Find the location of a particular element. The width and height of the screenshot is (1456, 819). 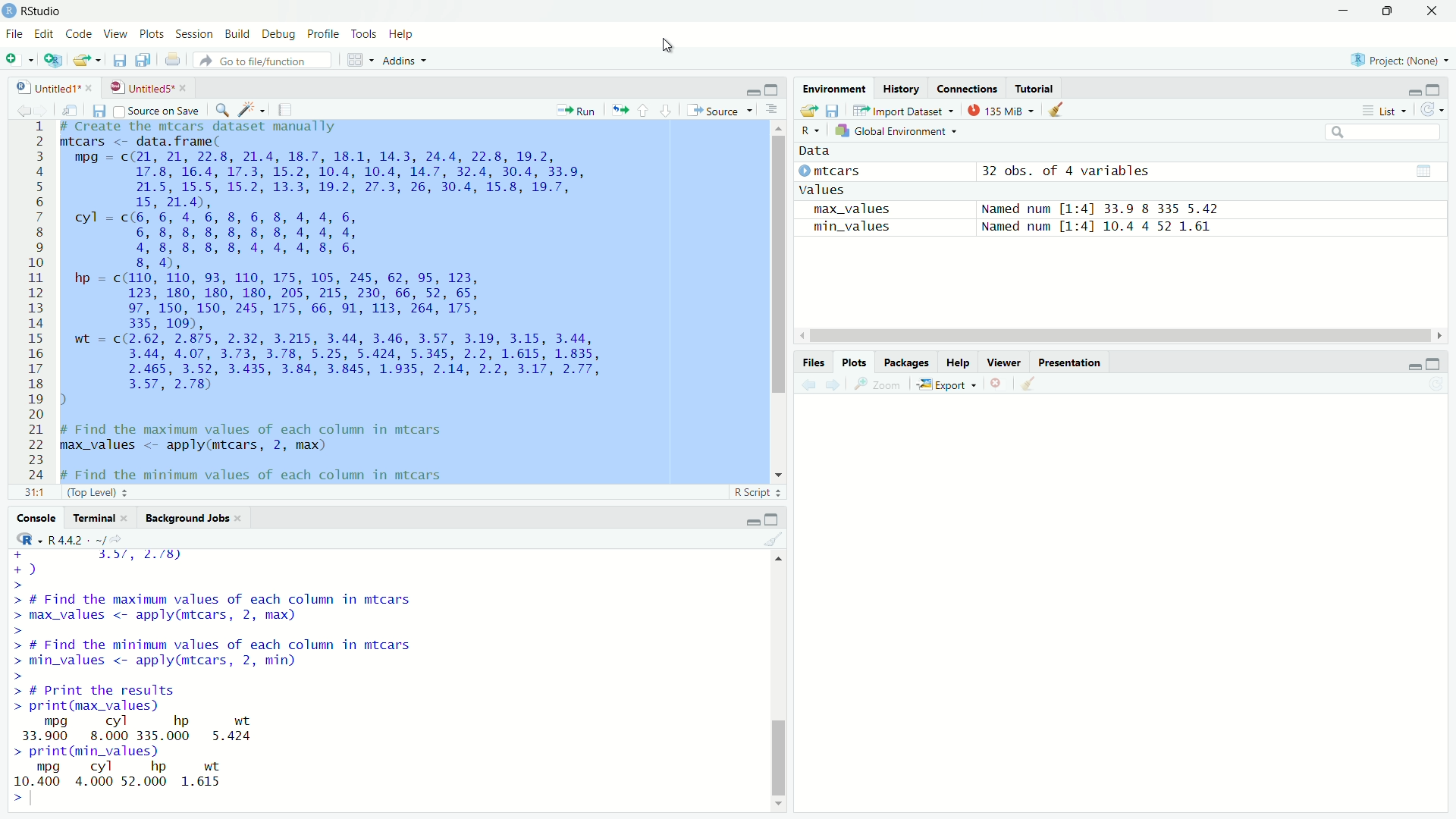

scroll bar is located at coordinates (773, 681).